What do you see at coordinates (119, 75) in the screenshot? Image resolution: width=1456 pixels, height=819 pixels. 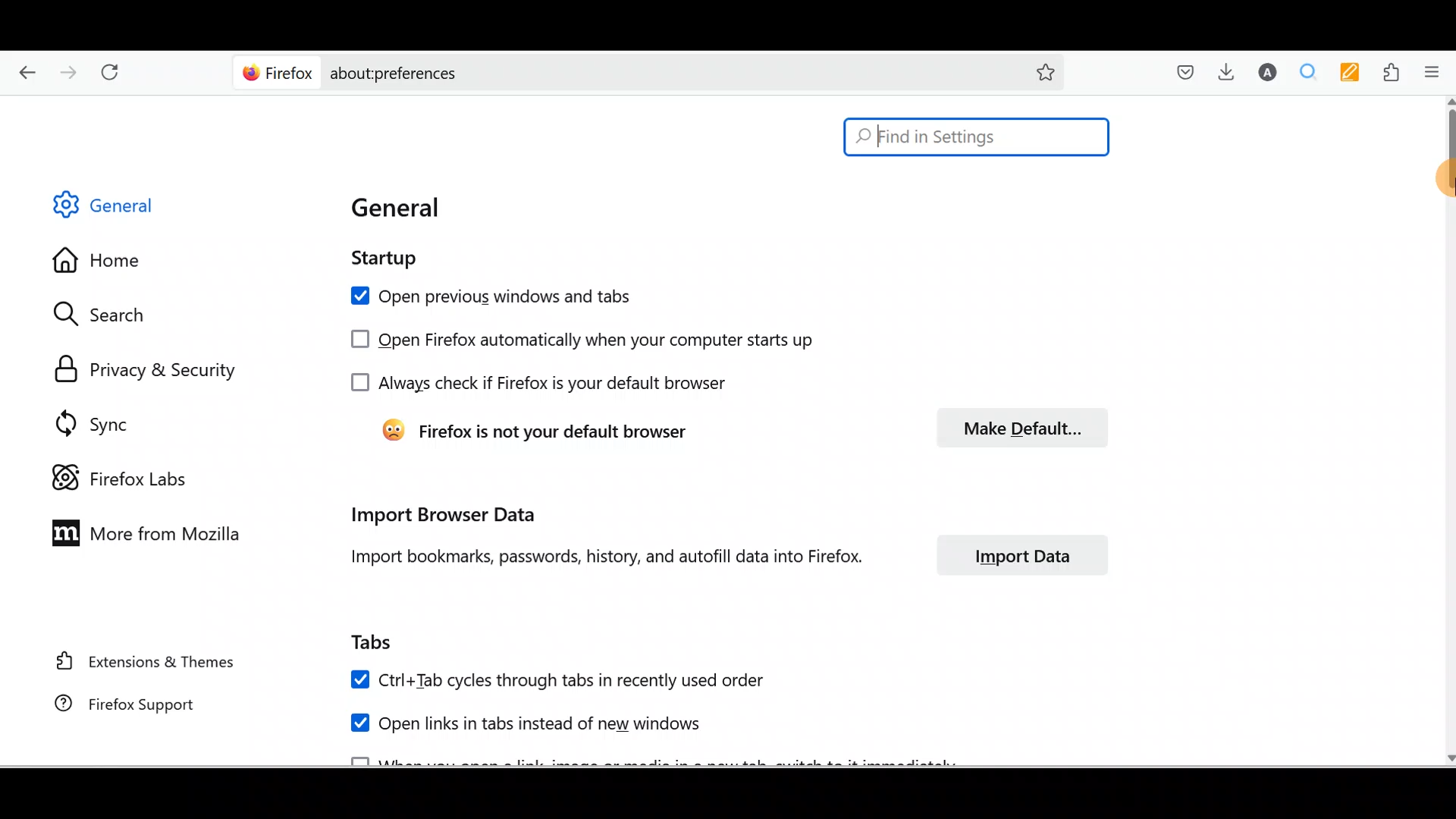 I see `Reload current page` at bounding box center [119, 75].